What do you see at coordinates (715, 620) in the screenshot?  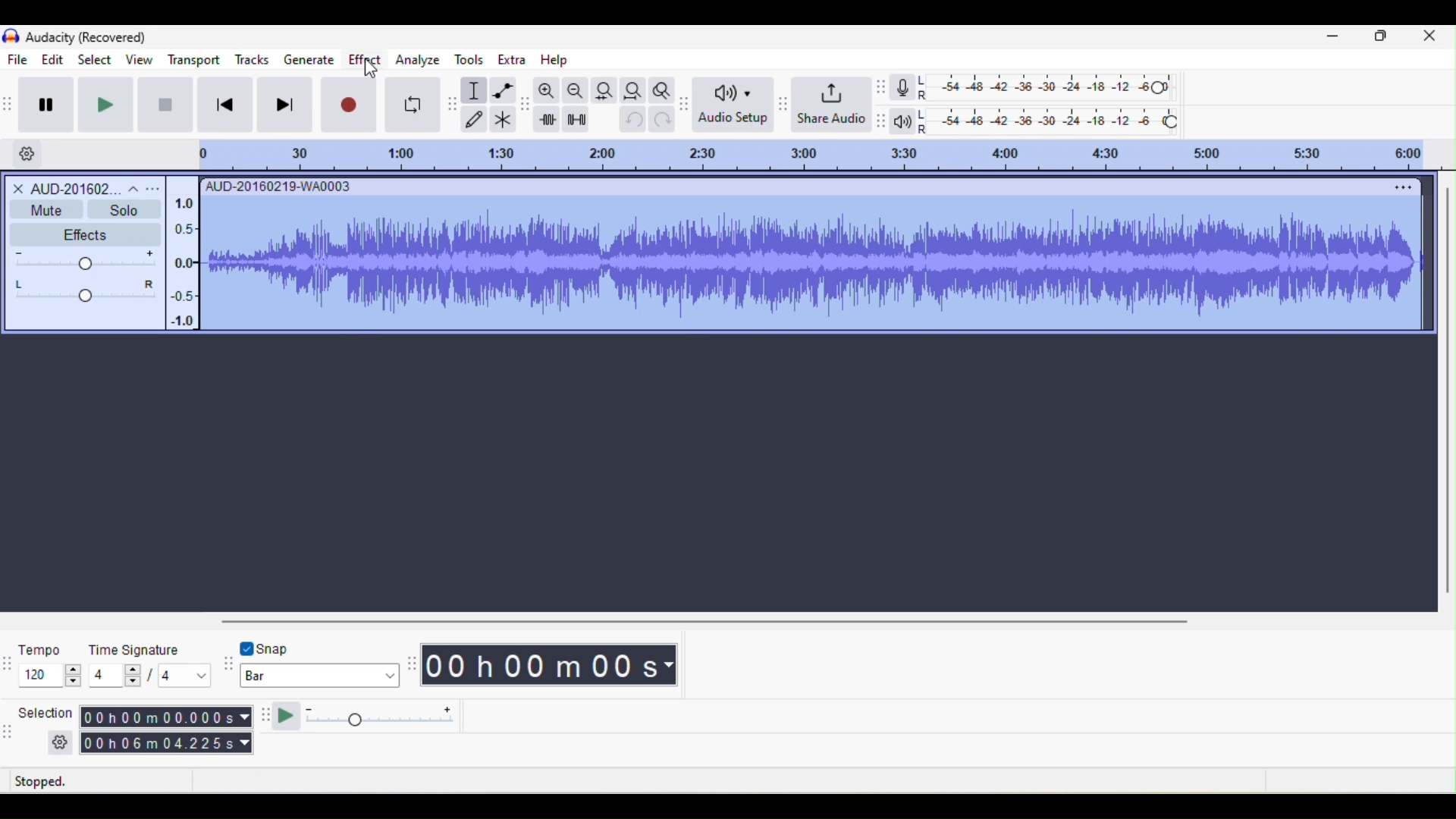 I see `horizontal scroll bar` at bounding box center [715, 620].